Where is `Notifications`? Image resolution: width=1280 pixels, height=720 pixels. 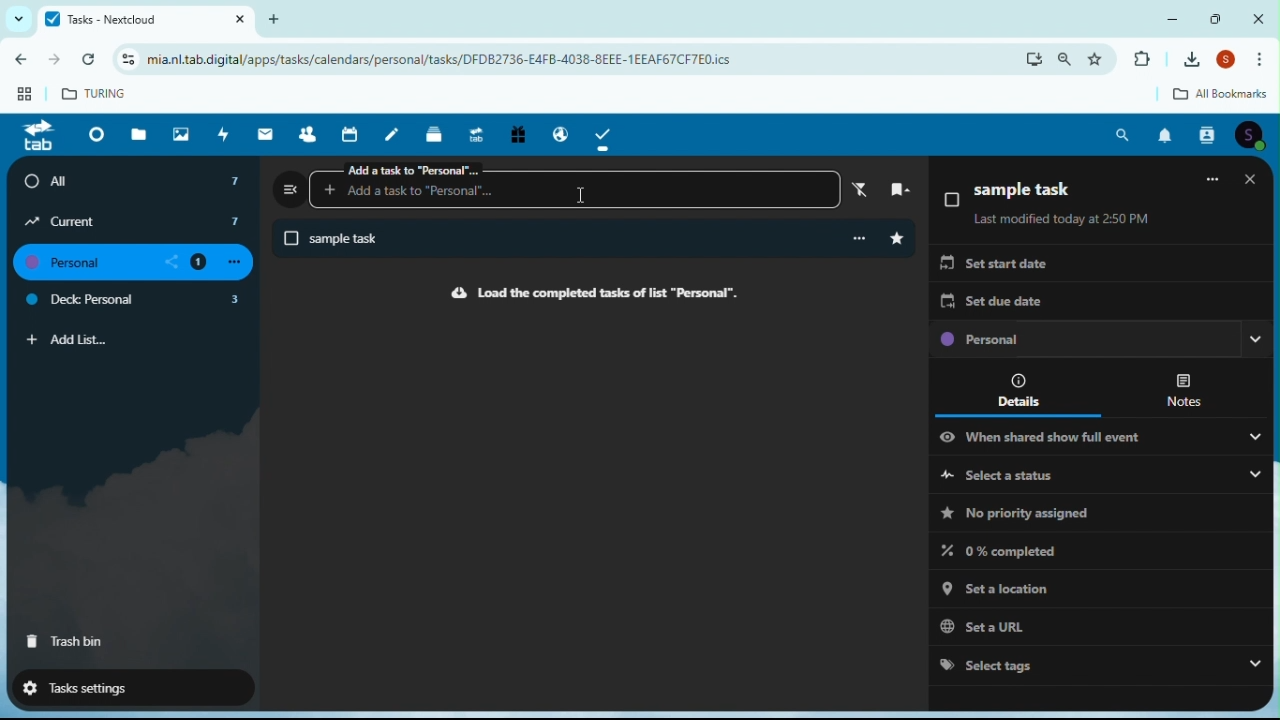 Notifications is located at coordinates (1165, 136).